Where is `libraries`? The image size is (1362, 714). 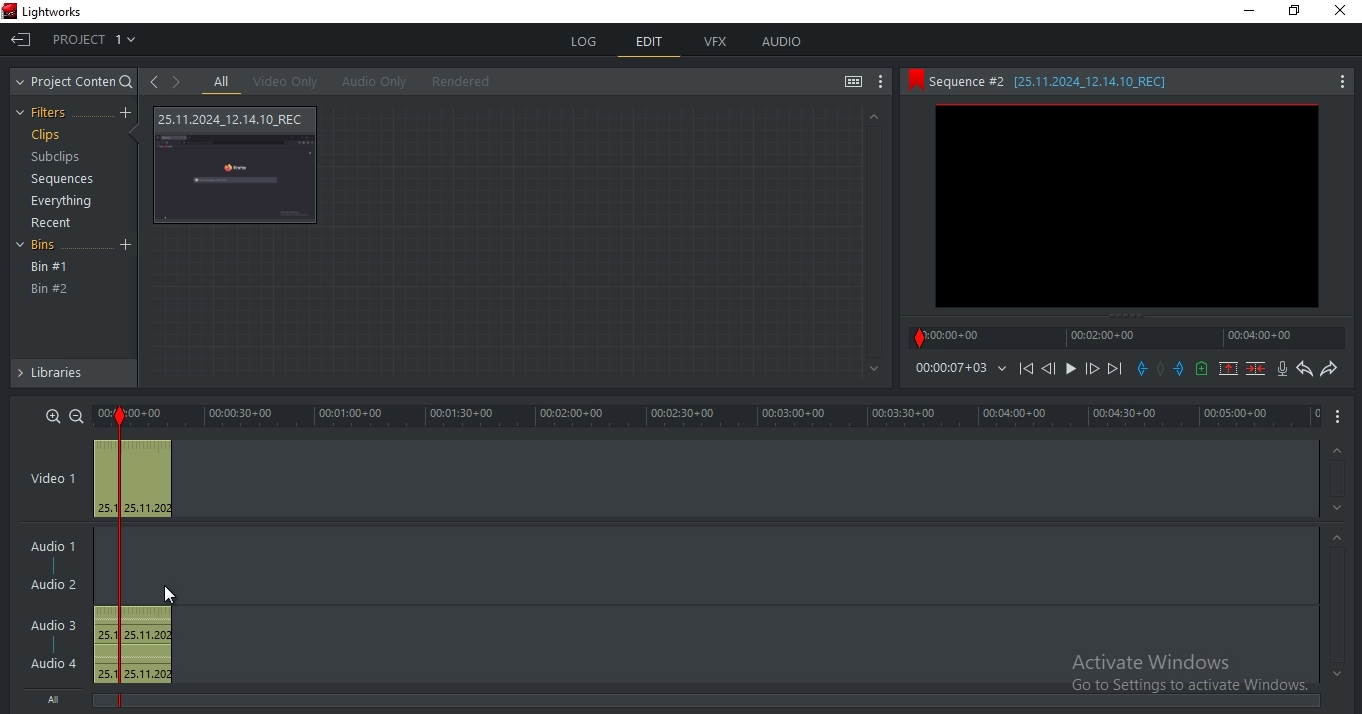 libraries is located at coordinates (72, 377).